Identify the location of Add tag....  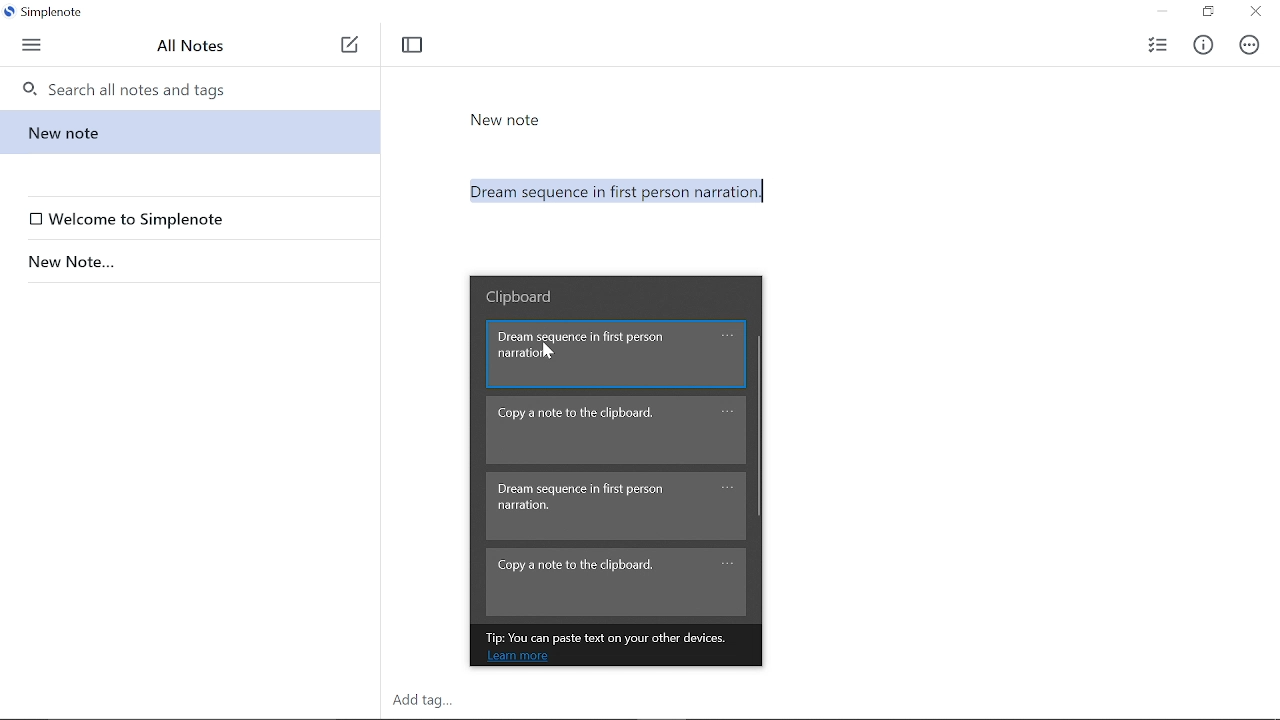
(436, 701).